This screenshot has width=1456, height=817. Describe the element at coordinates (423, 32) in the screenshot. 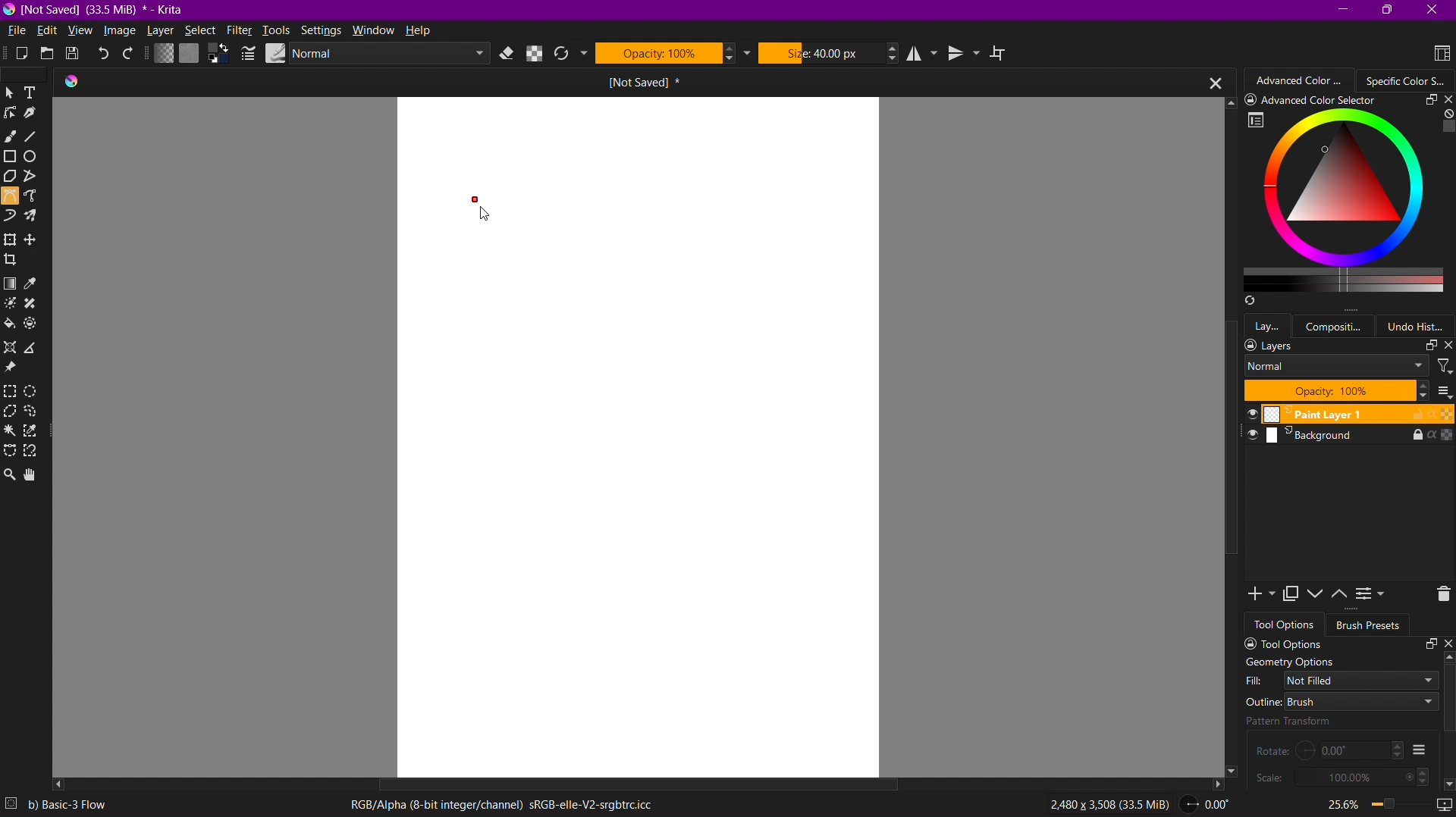

I see `Help` at that location.